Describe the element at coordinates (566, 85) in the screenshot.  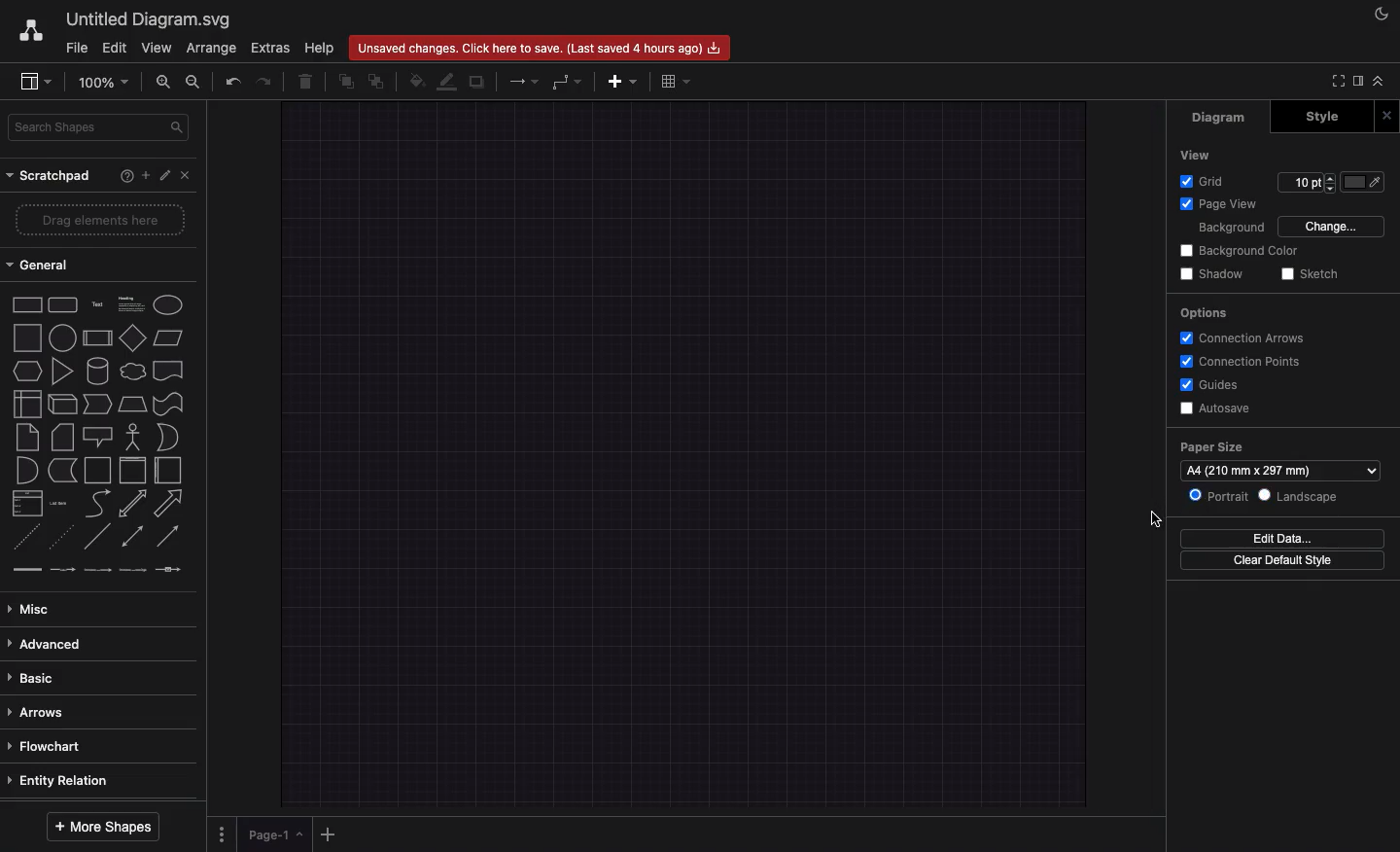
I see `Waypoint` at that location.